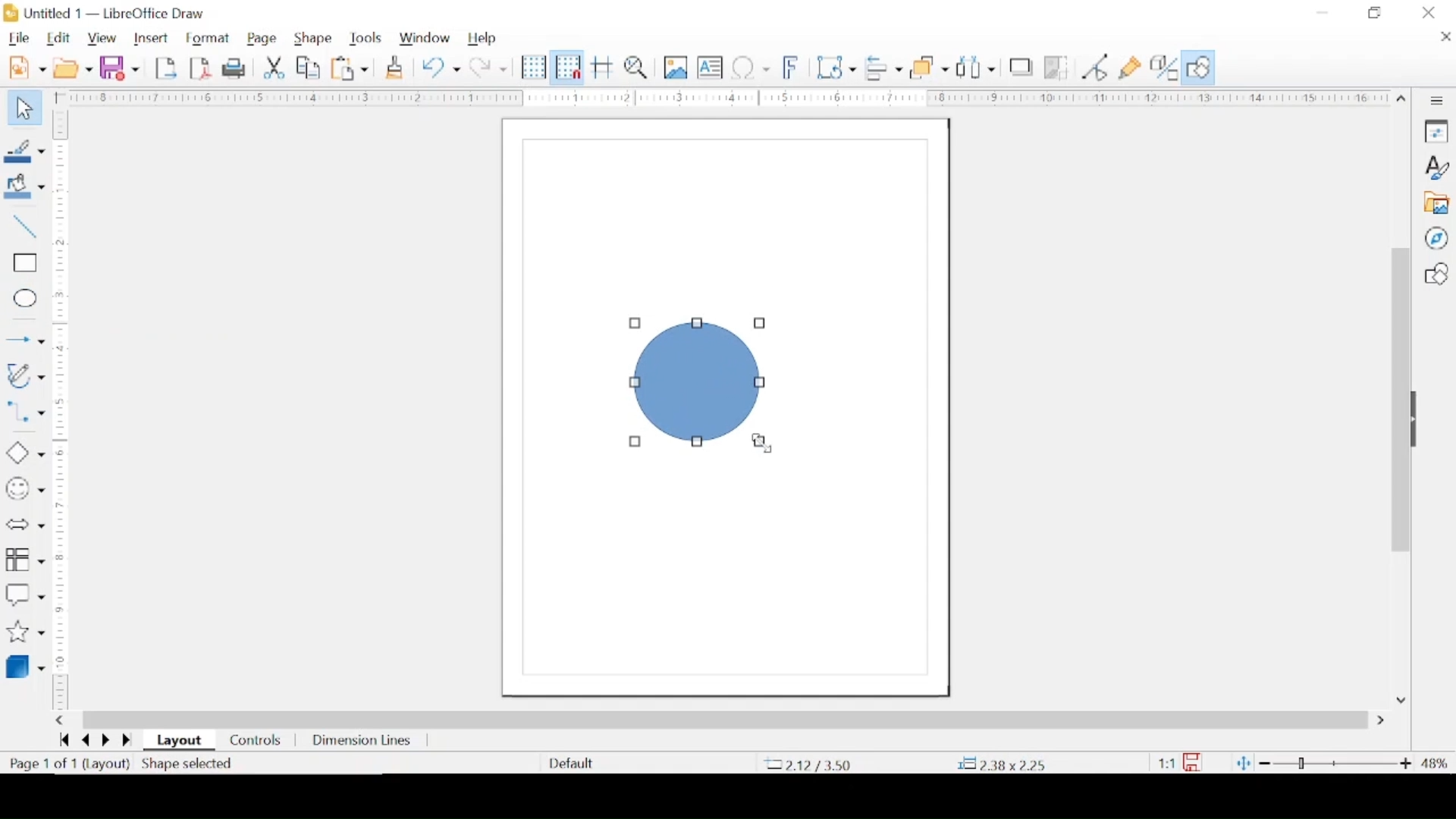 This screenshot has width=1456, height=819. What do you see at coordinates (64, 529) in the screenshot?
I see `margin` at bounding box center [64, 529].